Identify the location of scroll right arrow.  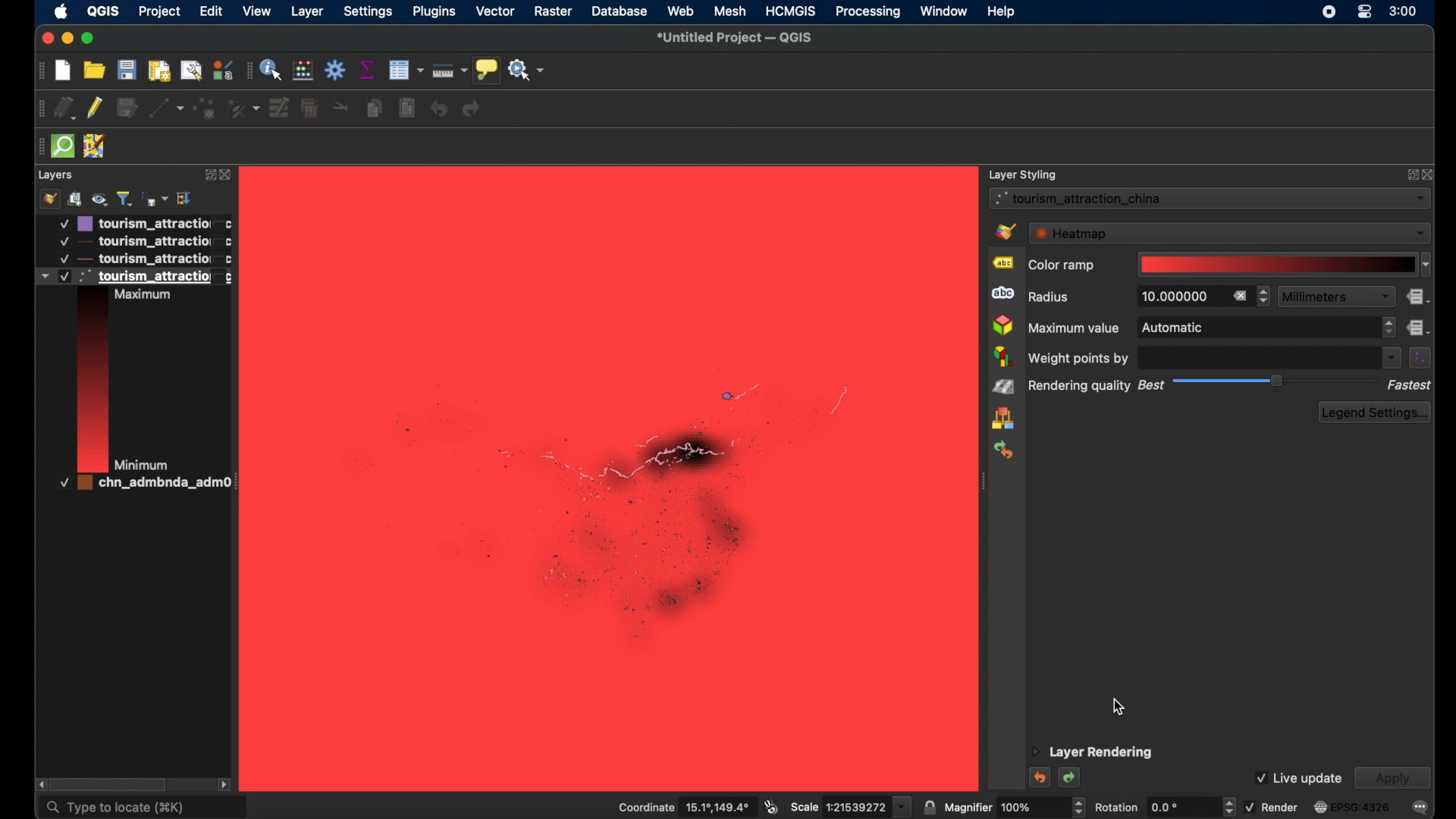
(38, 783).